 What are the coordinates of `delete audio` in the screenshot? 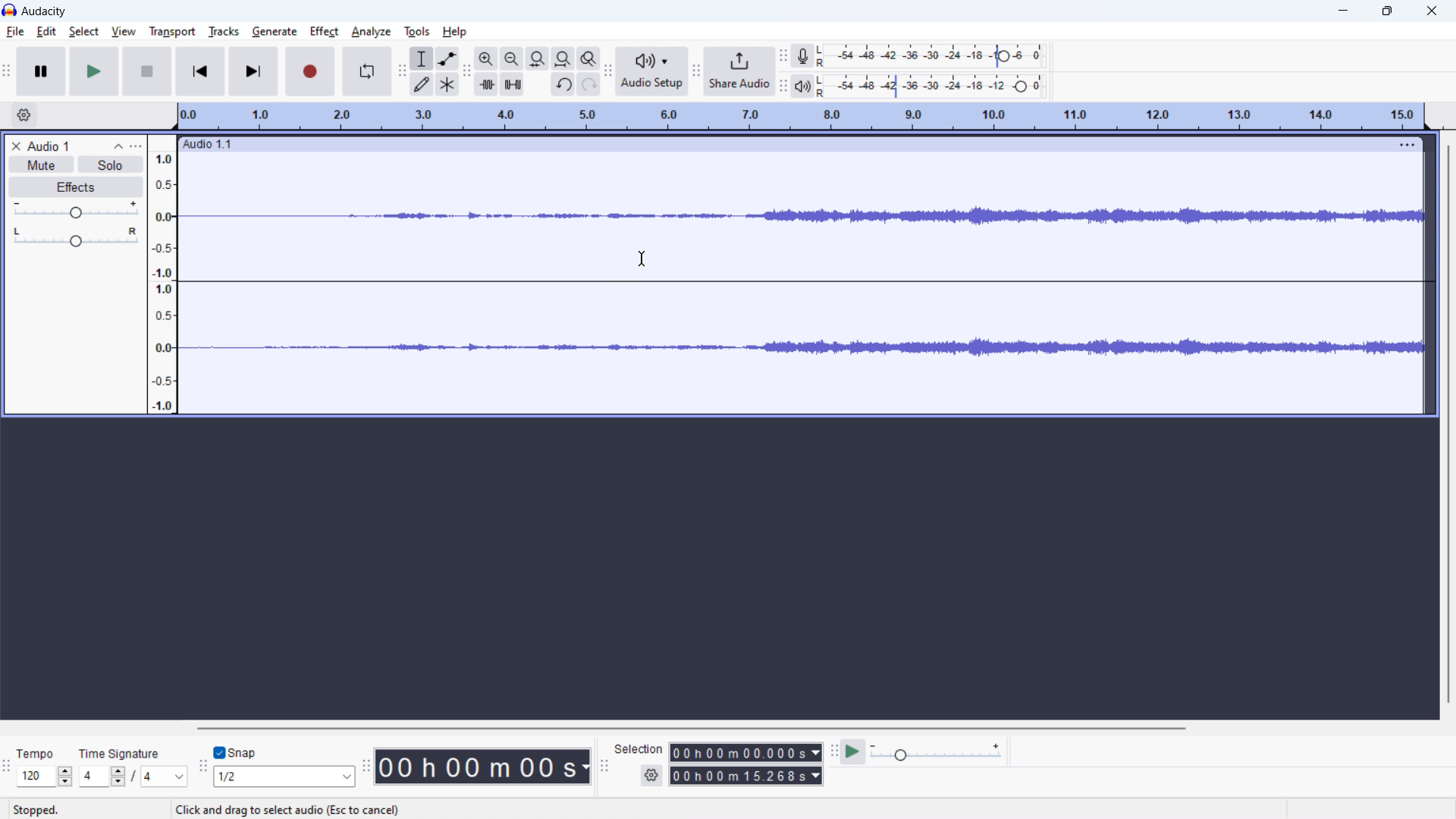 It's located at (15, 146).